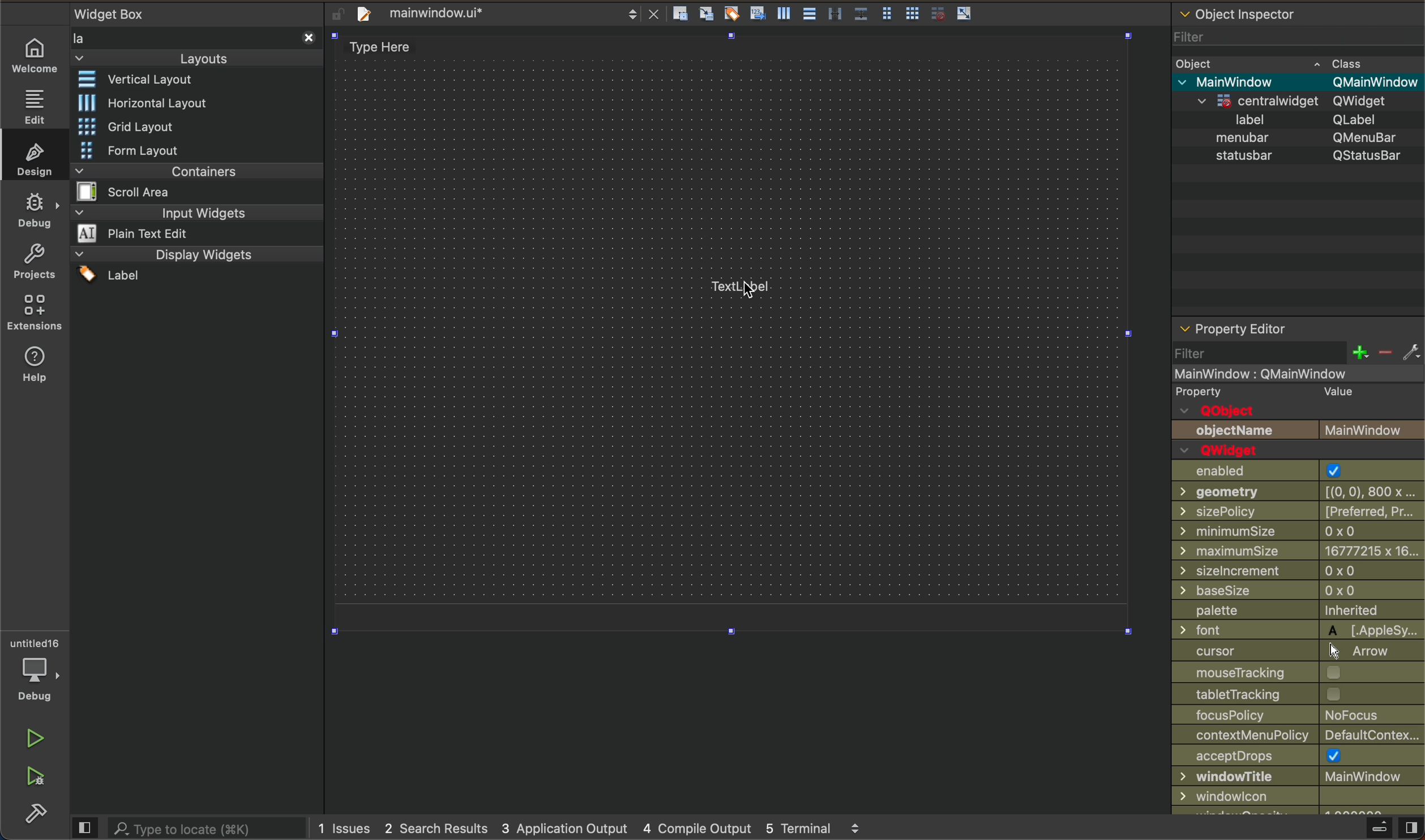  I want to click on font, so click(1296, 629).